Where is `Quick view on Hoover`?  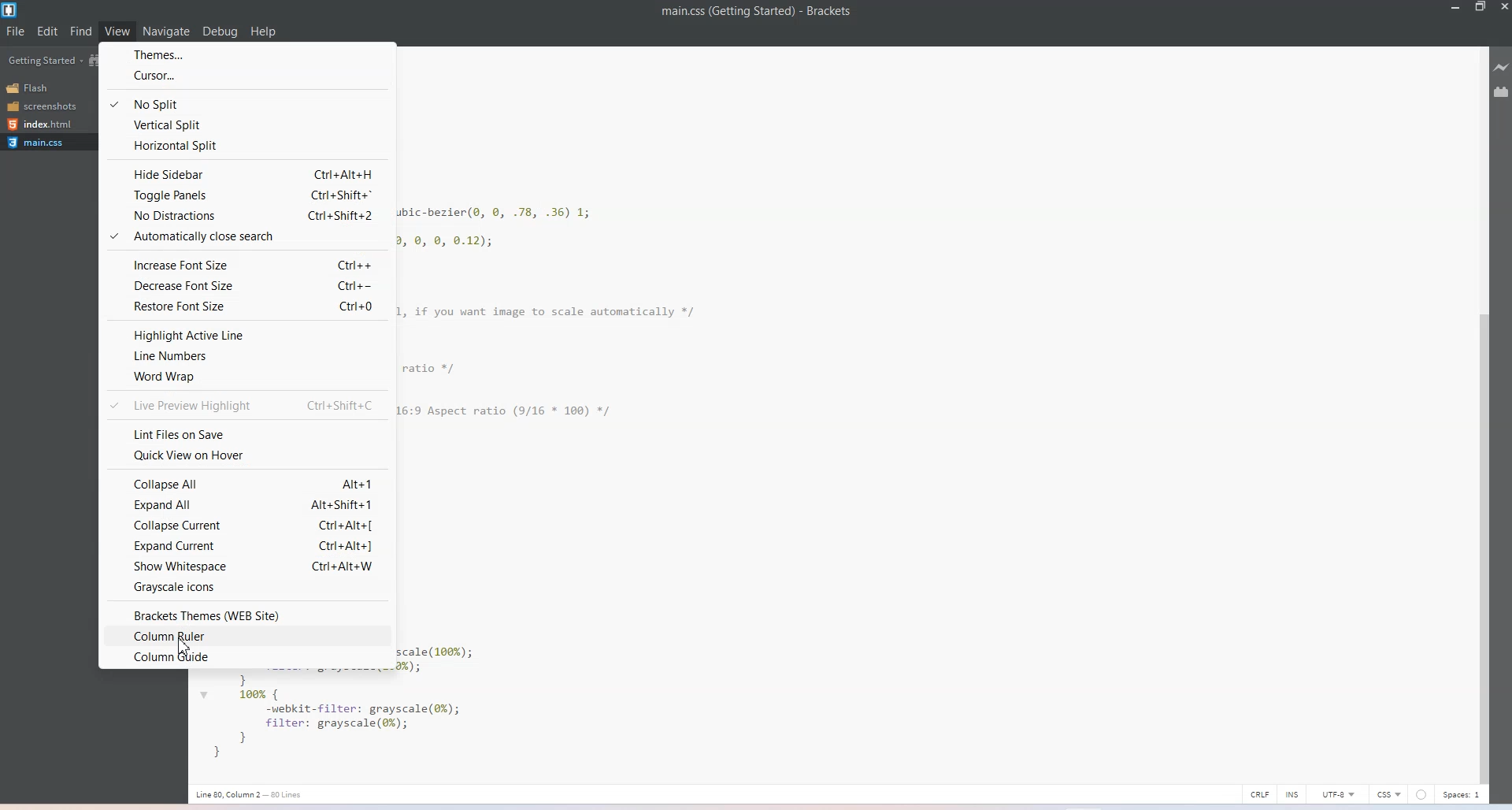
Quick view on Hoover is located at coordinates (246, 455).